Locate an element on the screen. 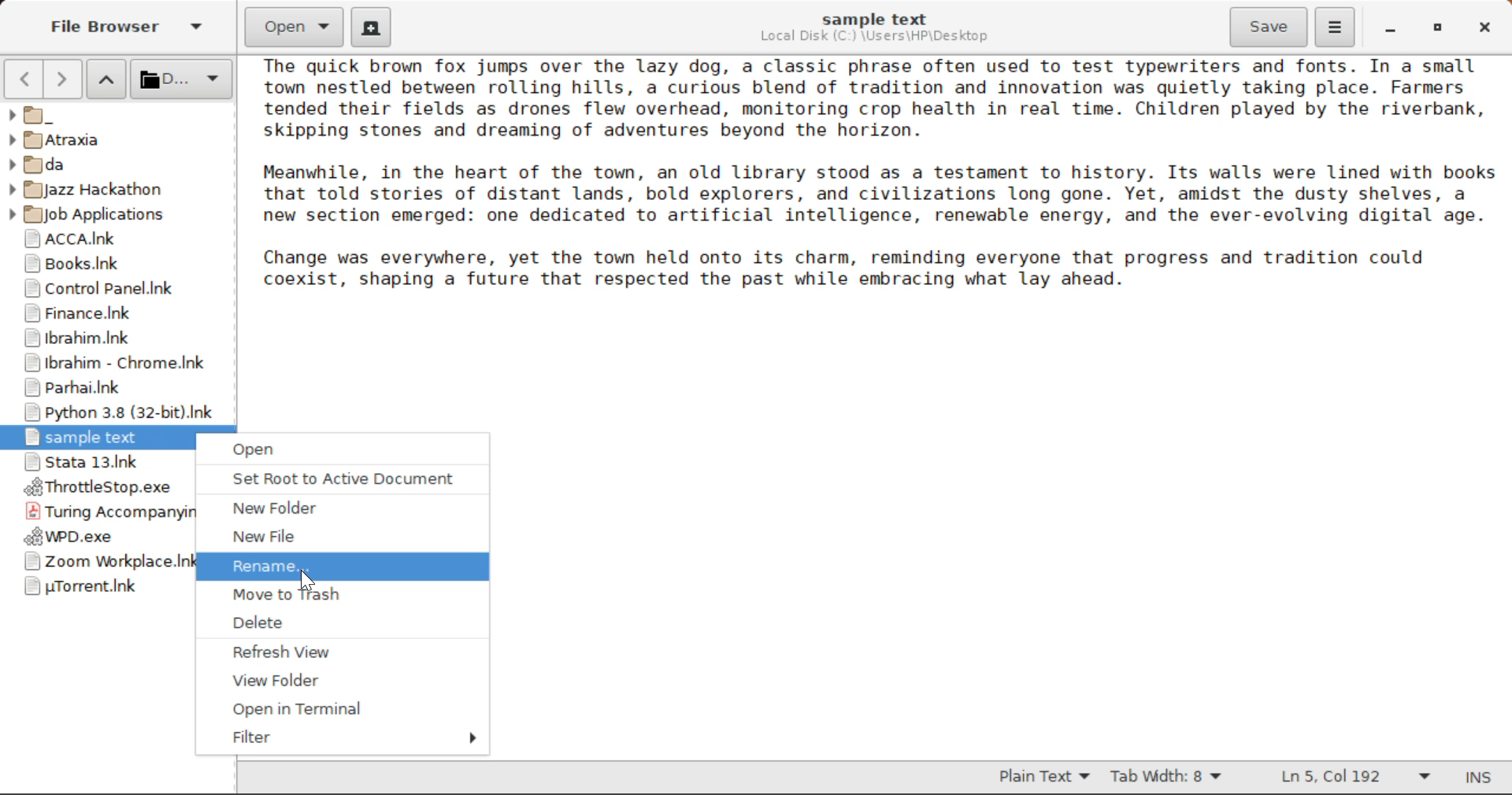 This screenshot has height=795, width=1512. Ibrahim Folder Shortcut Link is located at coordinates (117, 339).